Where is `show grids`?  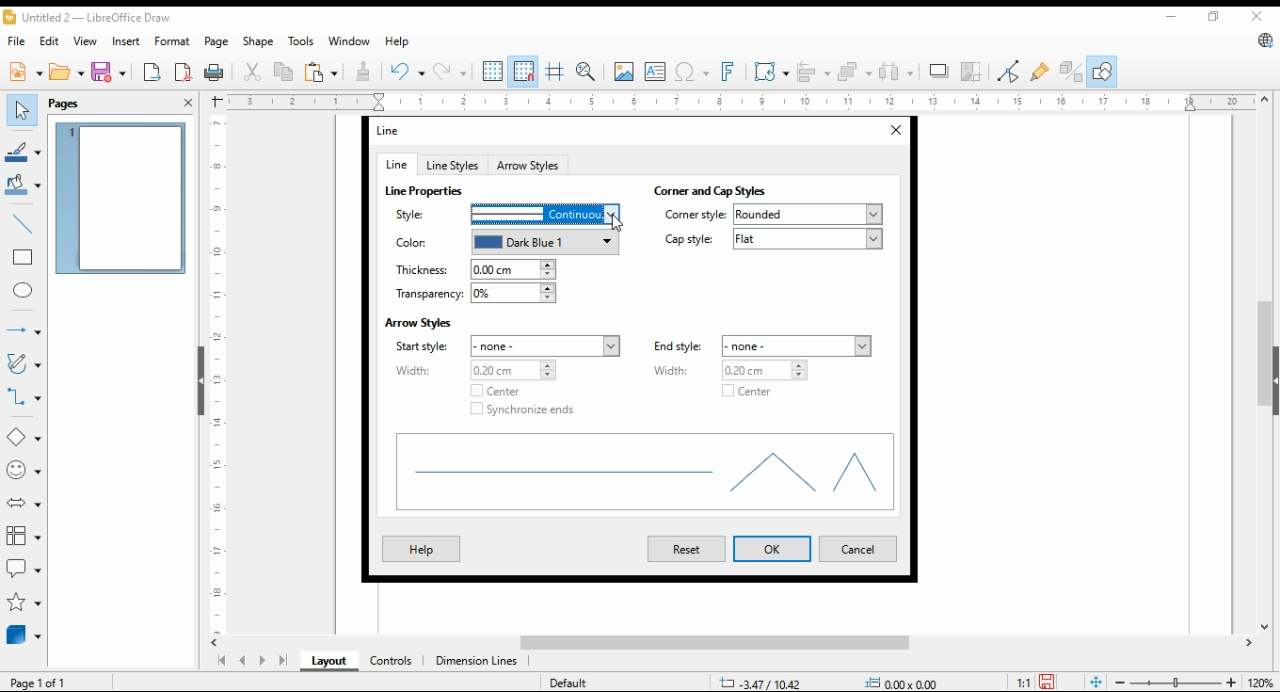 show grids is located at coordinates (492, 71).